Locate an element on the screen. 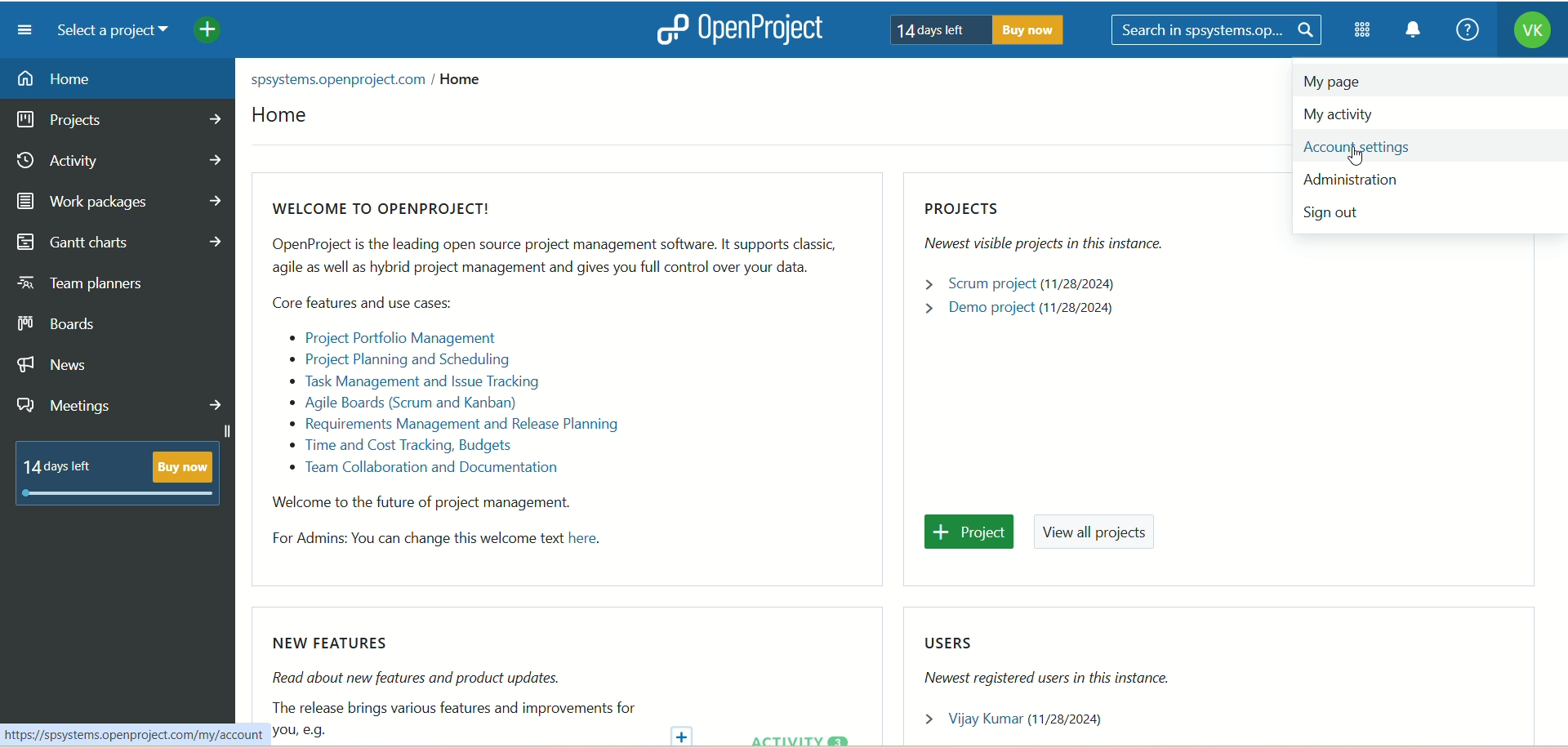 This screenshot has width=1568, height=748. notification is located at coordinates (1414, 32).